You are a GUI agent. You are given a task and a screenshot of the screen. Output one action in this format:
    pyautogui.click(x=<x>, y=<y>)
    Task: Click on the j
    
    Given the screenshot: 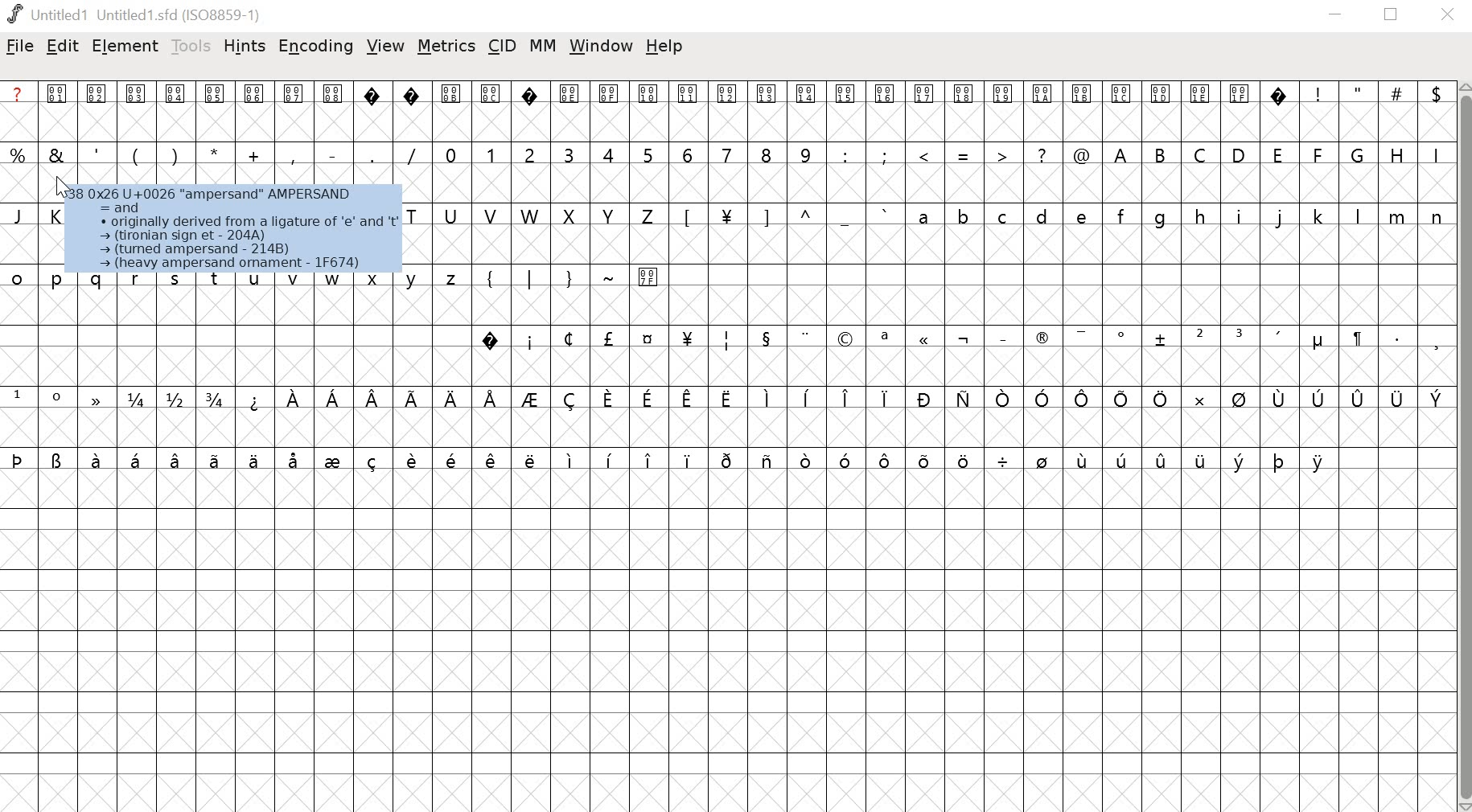 What is the action you would take?
    pyautogui.click(x=1281, y=218)
    